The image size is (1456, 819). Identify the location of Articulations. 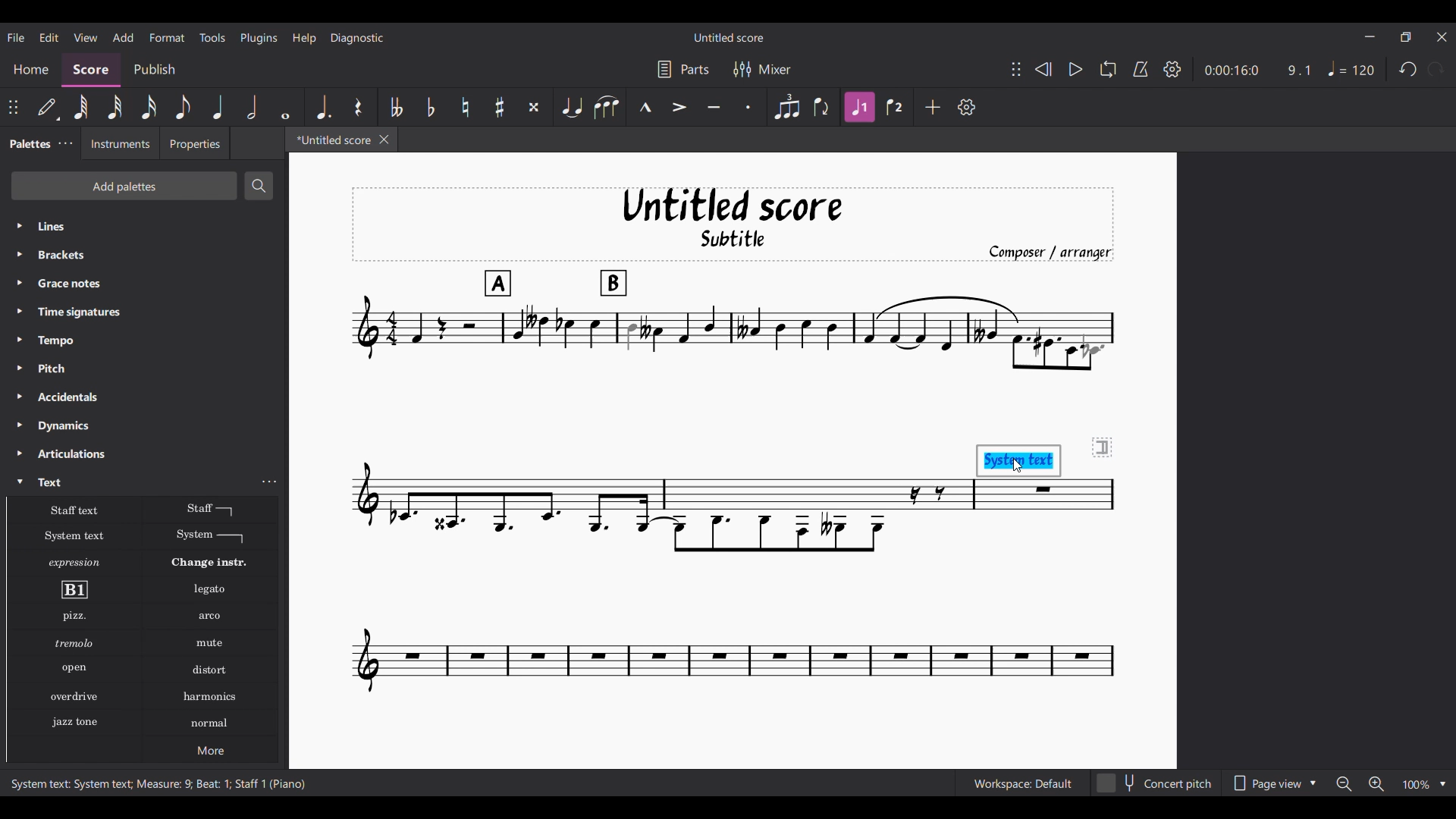
(145, 453).